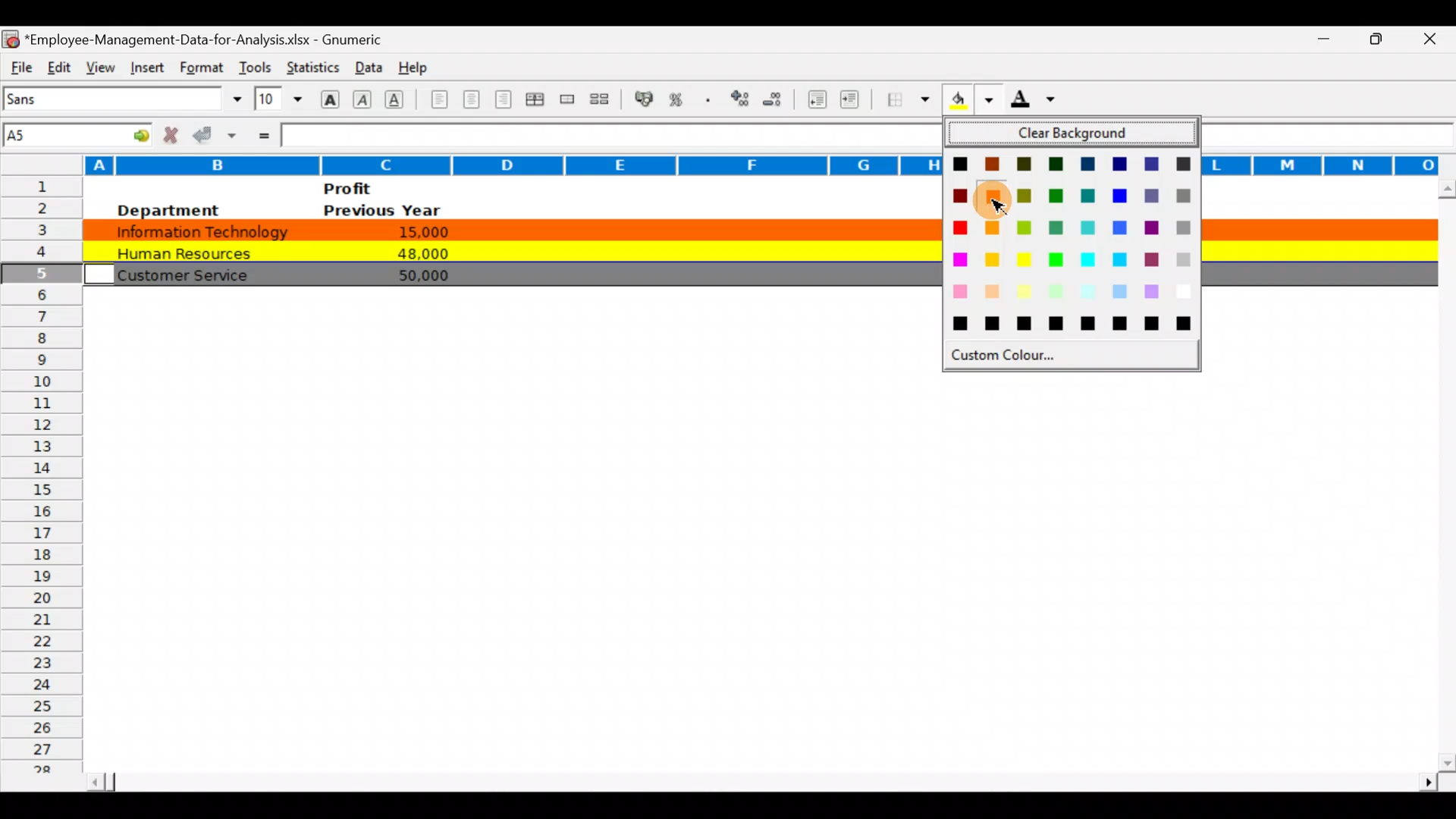 Image resolution: width=1456 pixels, height=819 pixels. What do you see at coordinates (278, 99) in the screenshot?
I see `Font size` at bounding box center [278, 99].